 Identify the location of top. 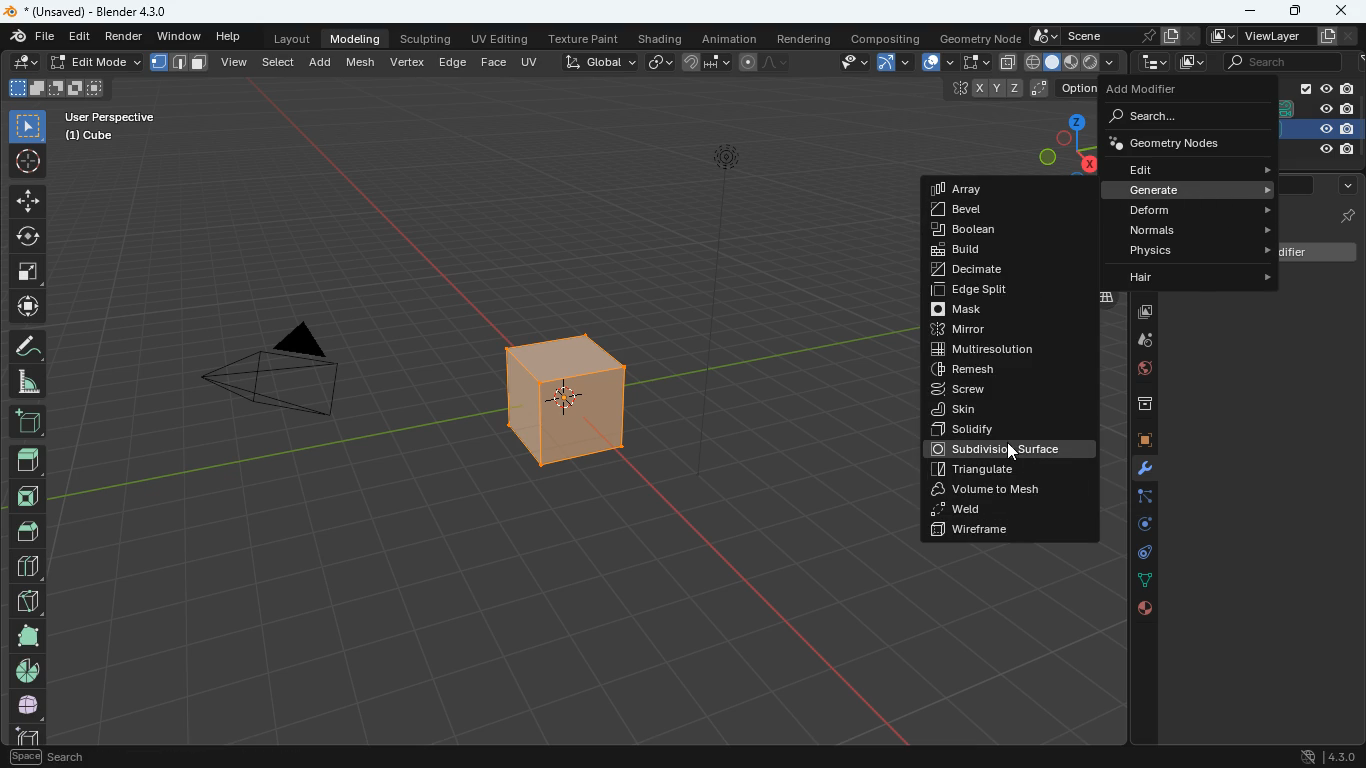
(28, 464).